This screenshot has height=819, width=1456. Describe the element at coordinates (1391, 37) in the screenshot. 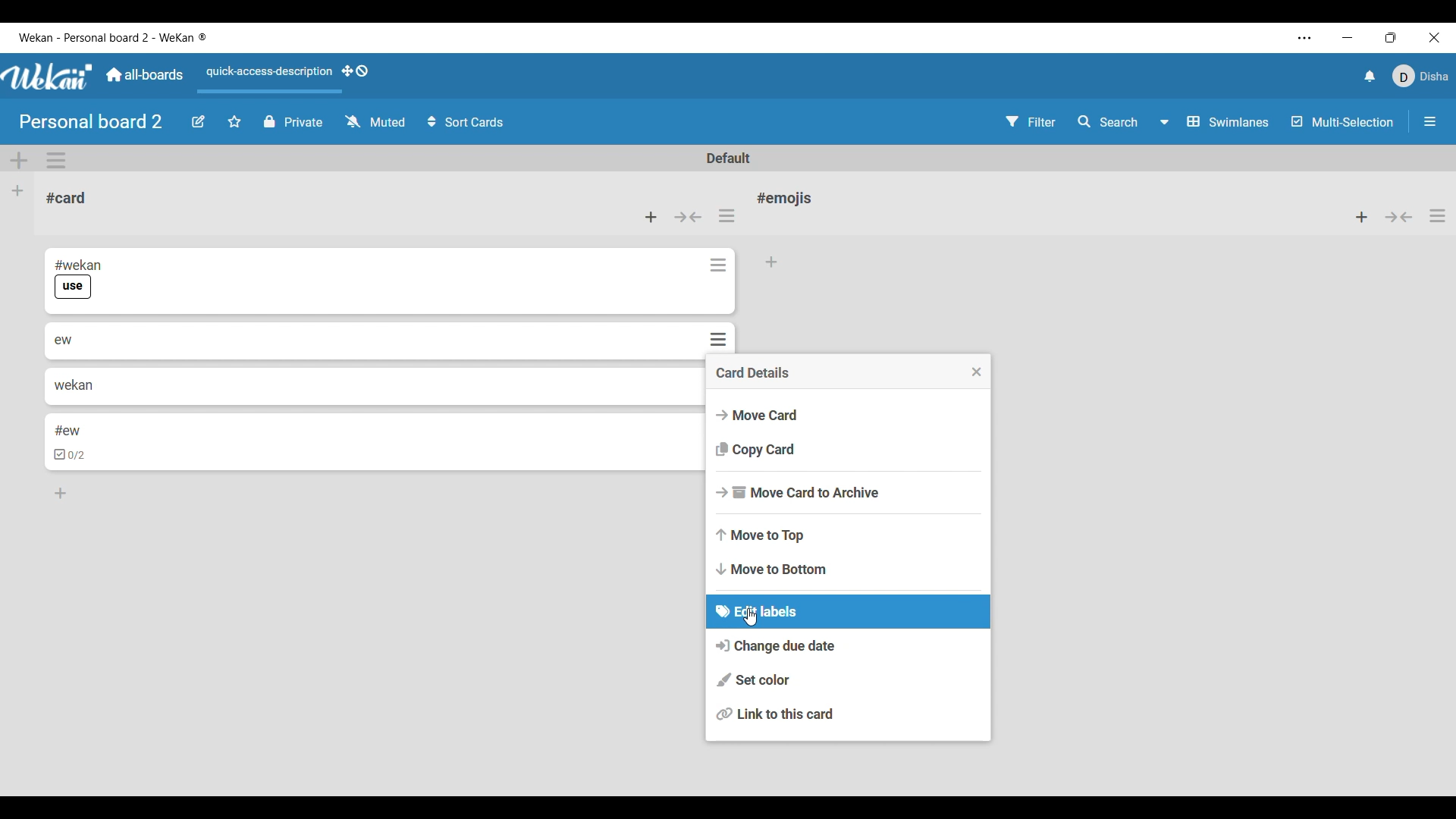

I see `Show interface in a smaller tab` at that location.